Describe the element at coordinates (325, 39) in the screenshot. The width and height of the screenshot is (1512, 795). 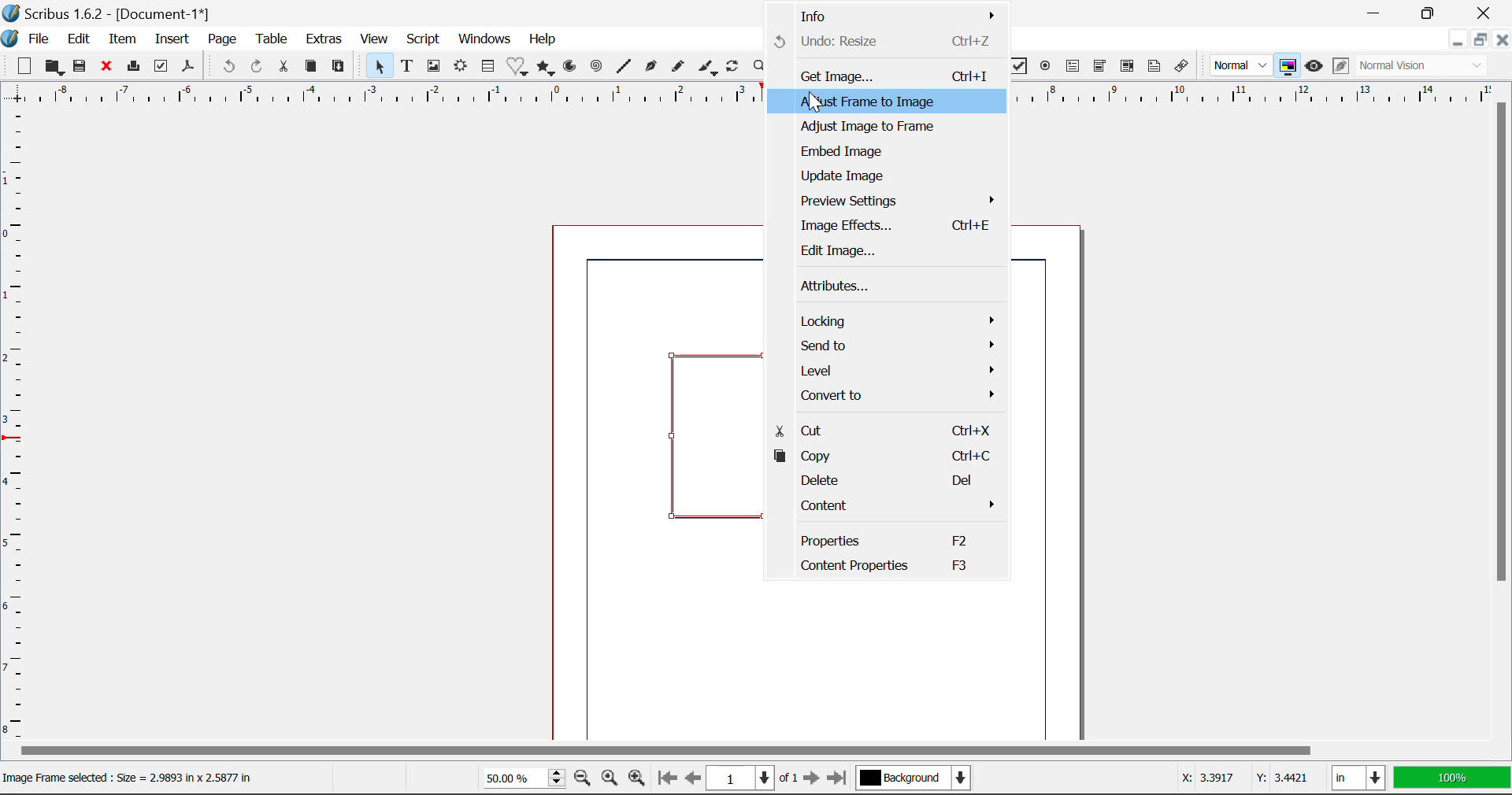
I see `Extras` at that location.